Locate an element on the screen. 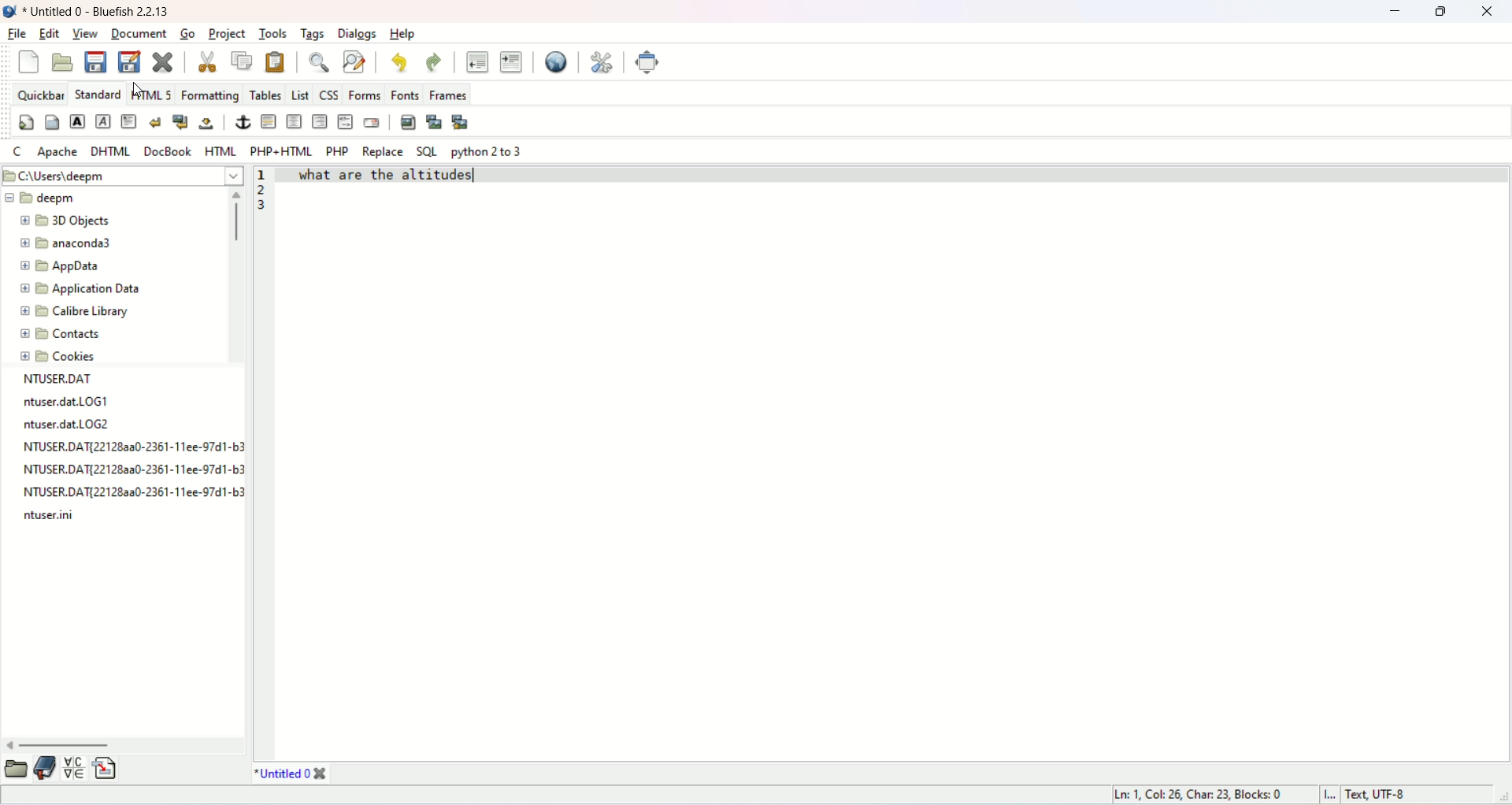 The image size is (1512, 805). formatting is located at coordinates (210, 94).